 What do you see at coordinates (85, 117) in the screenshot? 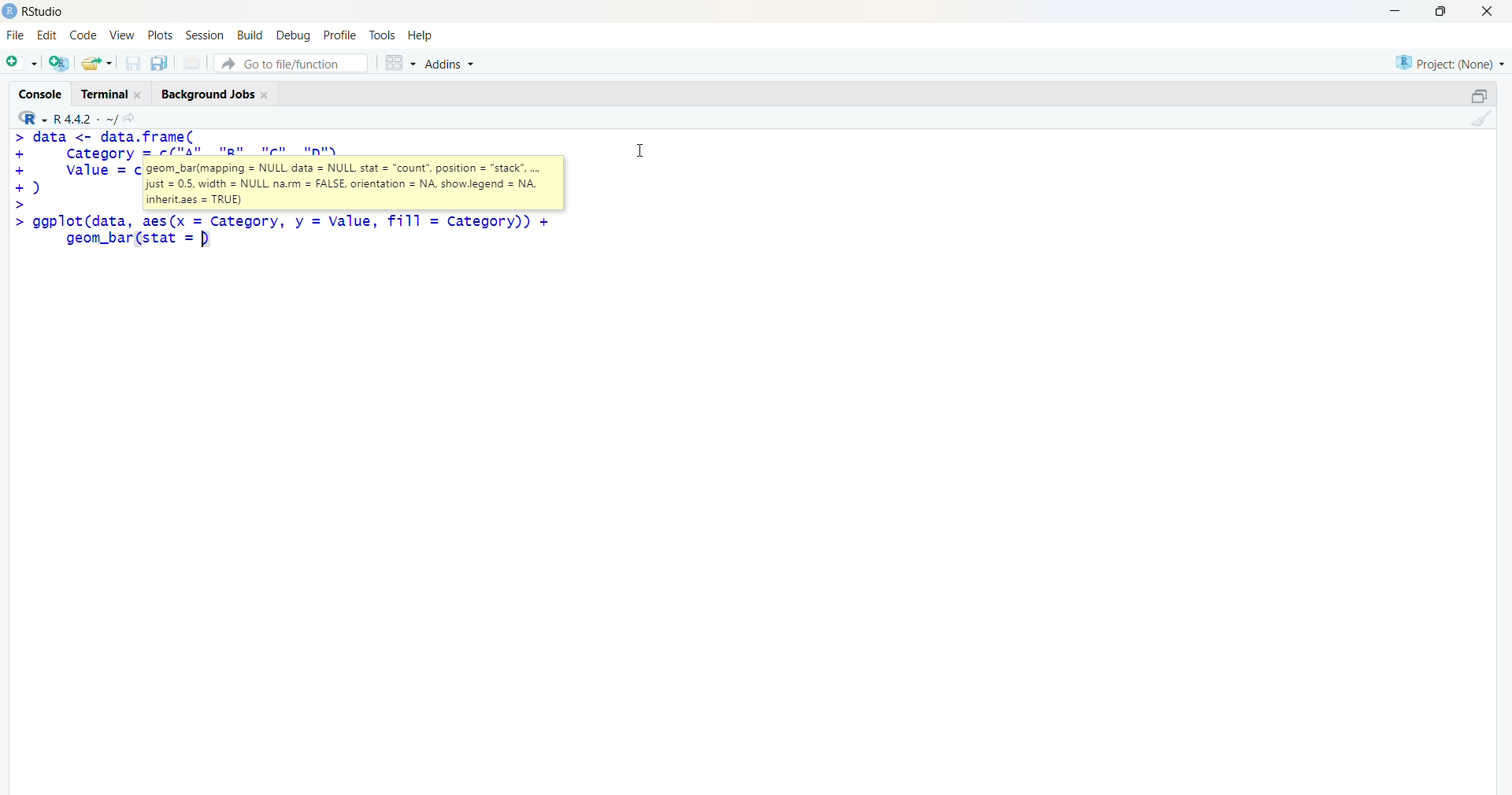
I see ` R language version - R 4.4.2` at bounding box center [85, 117].